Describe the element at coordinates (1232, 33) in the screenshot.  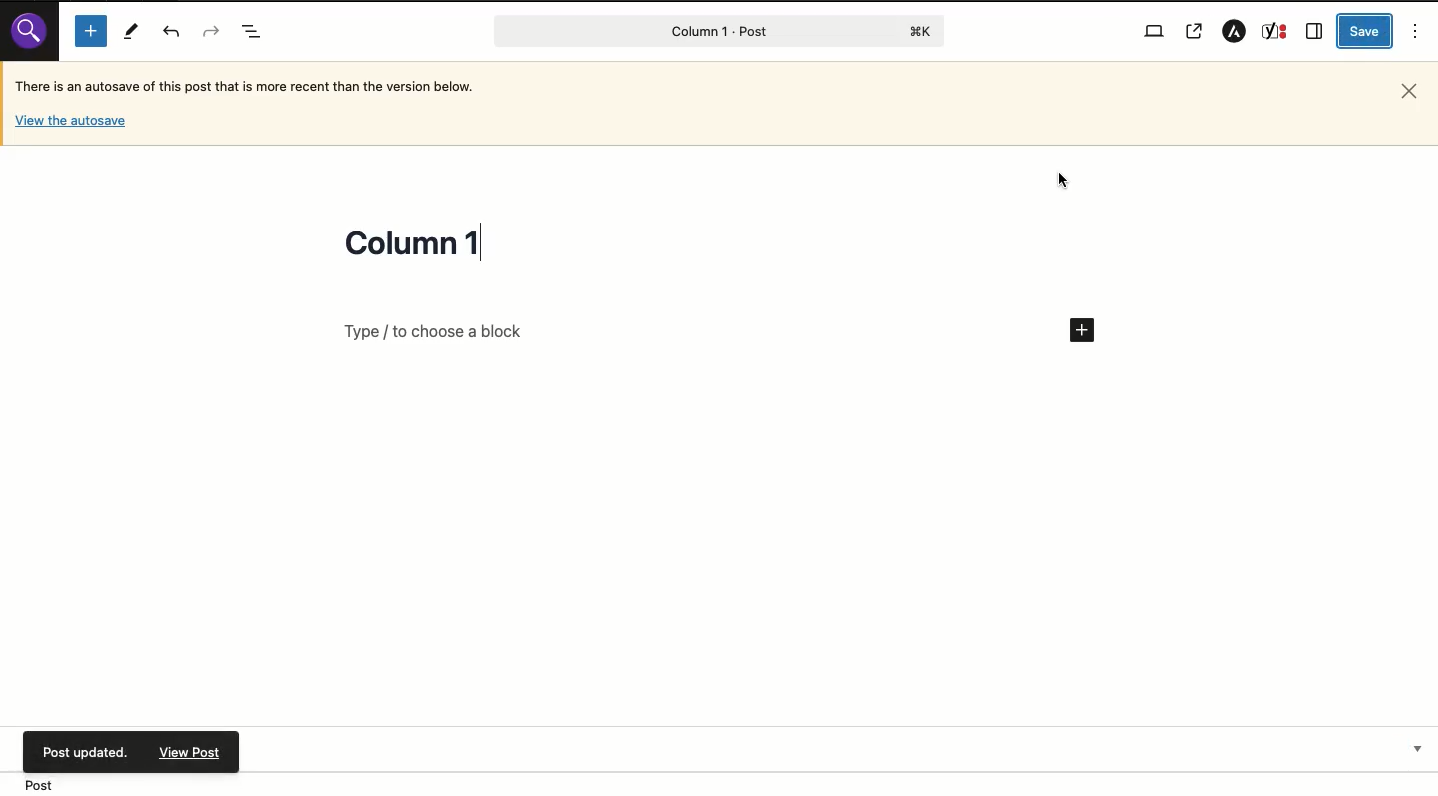
I see `Astar` at that location.